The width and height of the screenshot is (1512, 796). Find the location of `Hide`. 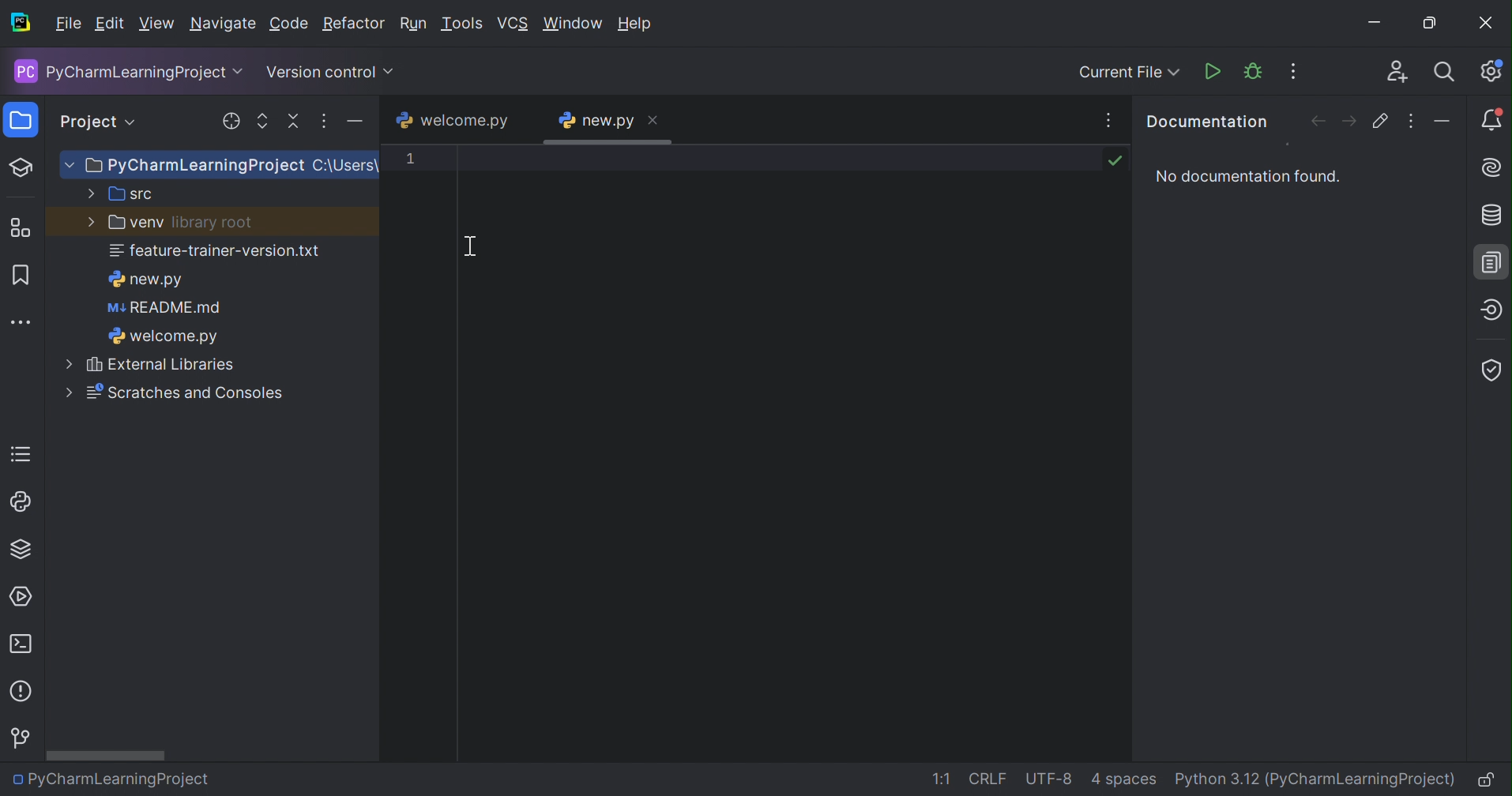

Hide is located at coordinates (1446, 122).